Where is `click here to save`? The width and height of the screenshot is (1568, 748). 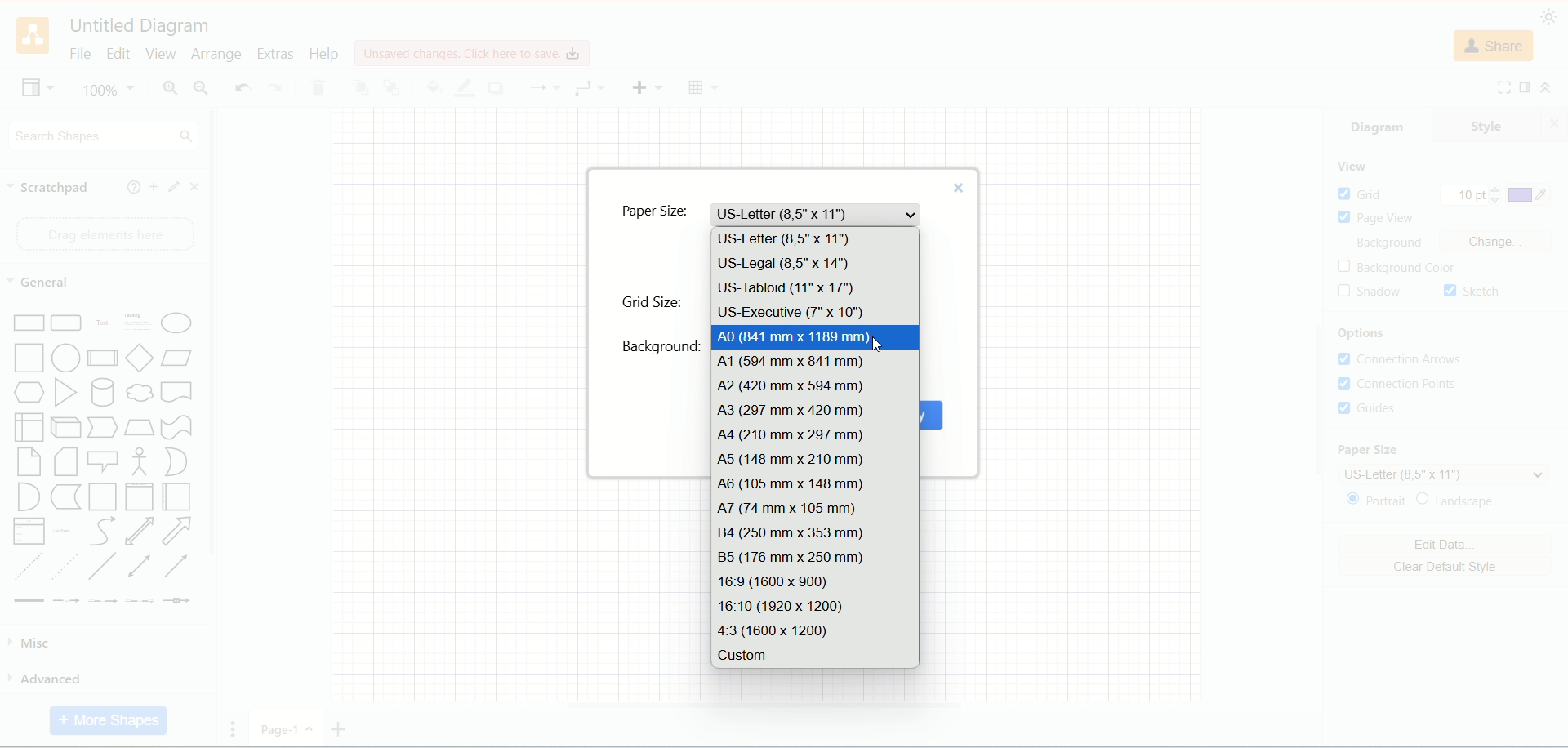
click here to save is located at coordinates (474, 51).